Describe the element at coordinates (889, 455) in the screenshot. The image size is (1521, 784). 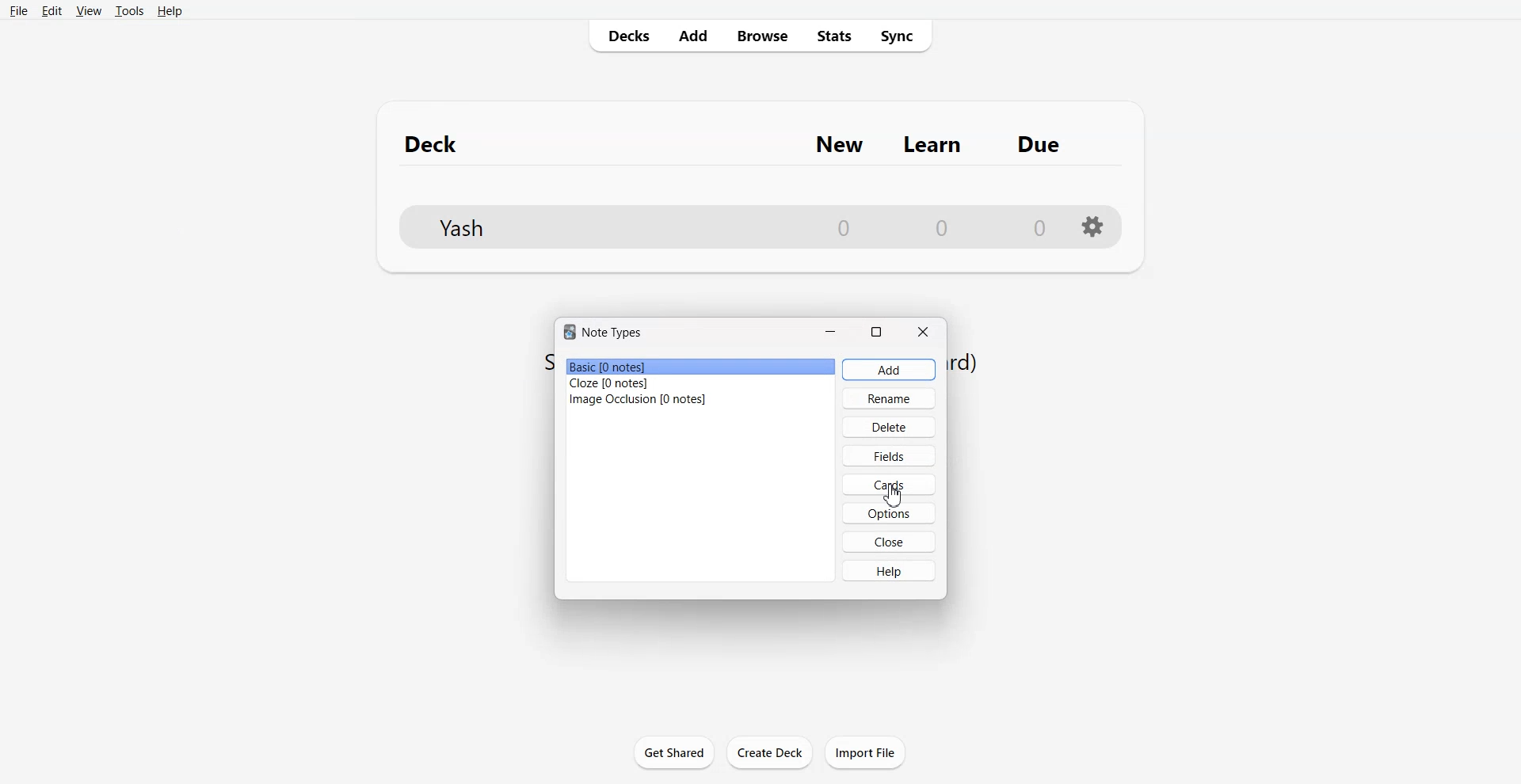
I see `Fields` at that location.